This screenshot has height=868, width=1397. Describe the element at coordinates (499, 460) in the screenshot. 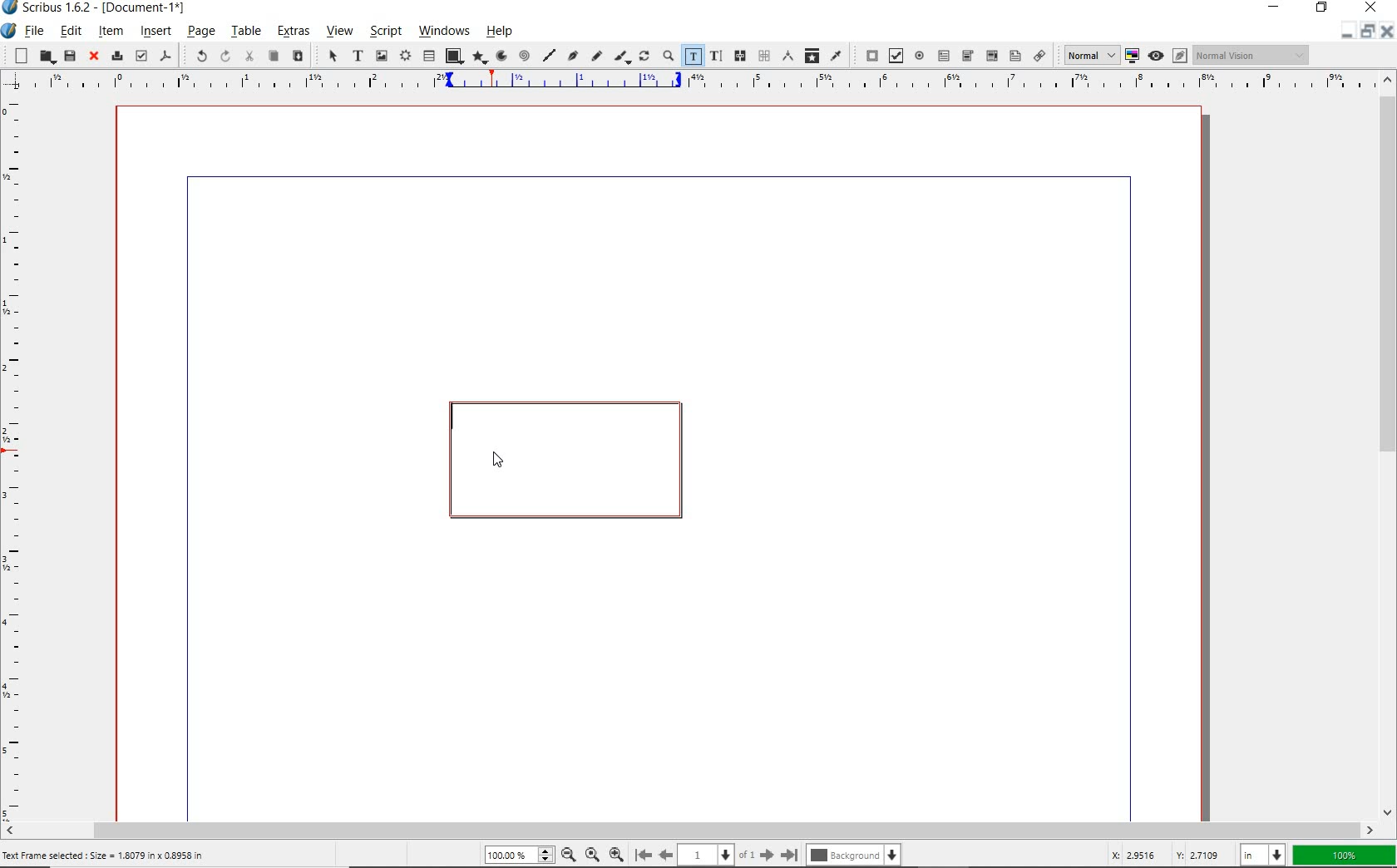

I see `Cursor Position` at that location.